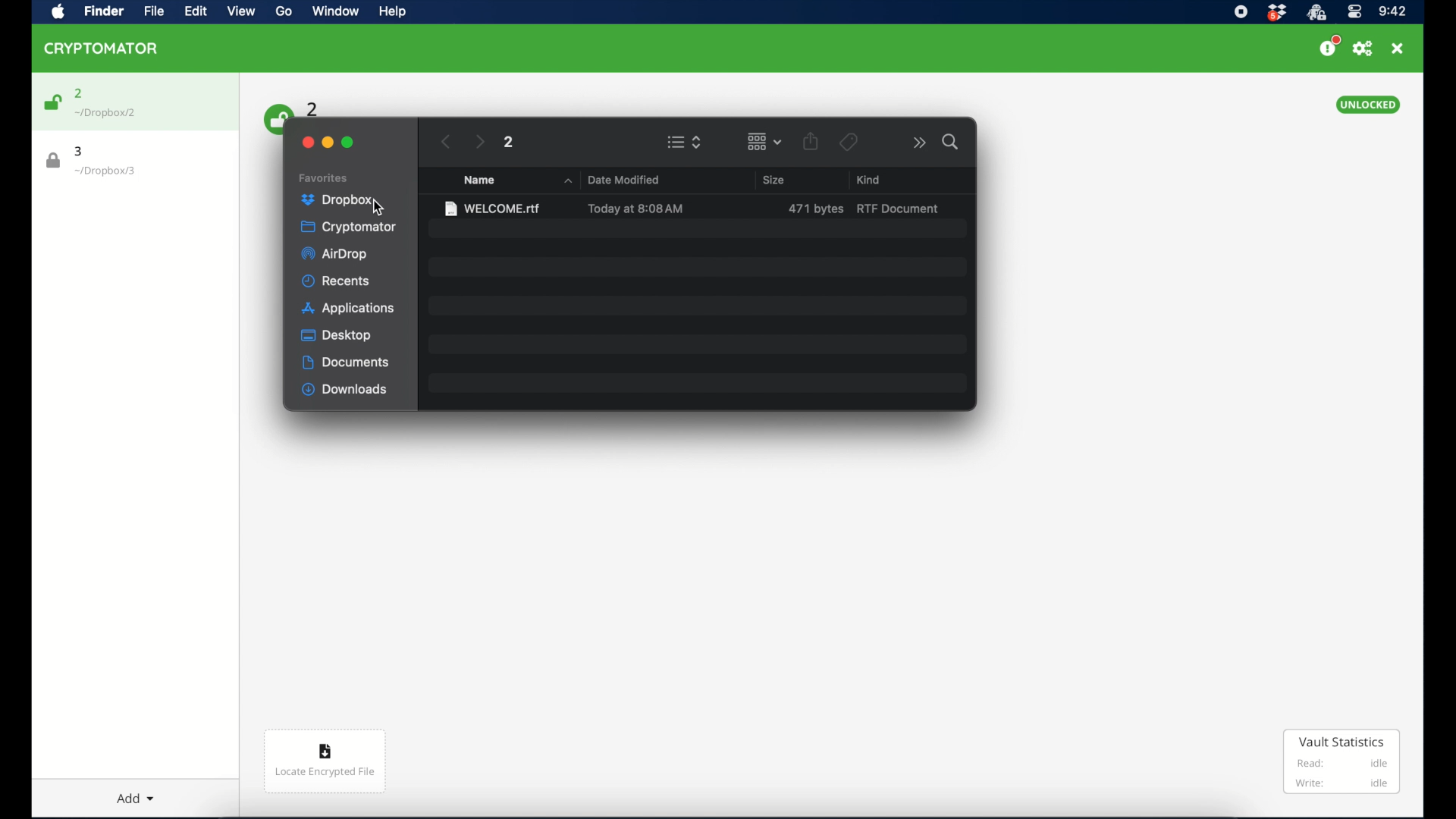  I want to click on help, so click(391, 11).